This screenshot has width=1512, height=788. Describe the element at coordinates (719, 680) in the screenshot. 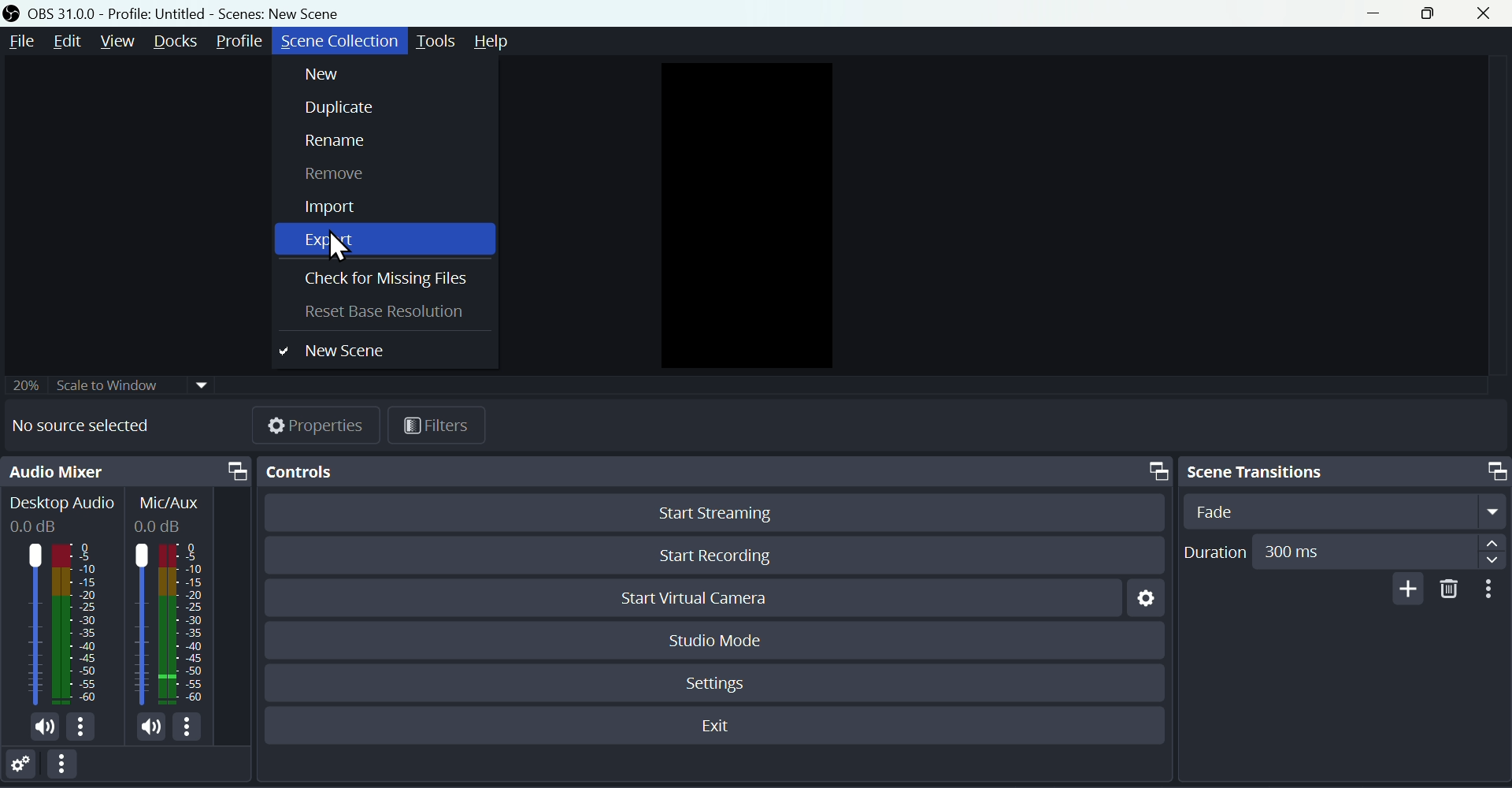

I see `Settings` at that location.